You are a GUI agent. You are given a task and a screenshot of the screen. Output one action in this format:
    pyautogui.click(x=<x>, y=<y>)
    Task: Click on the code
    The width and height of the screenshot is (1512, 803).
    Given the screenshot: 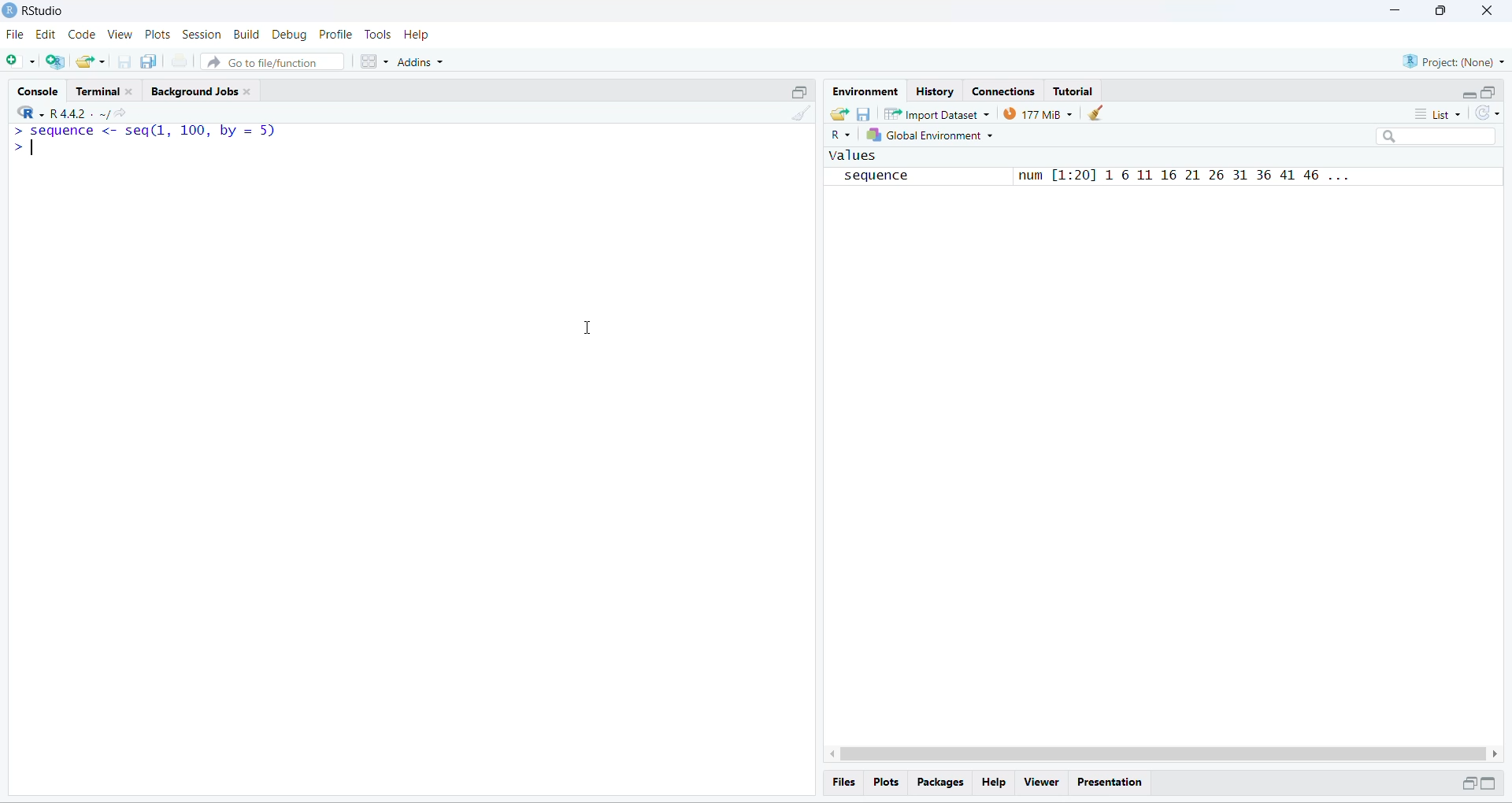 What is the action you would take?
    pyautogui.click(x=83, y=35)
    